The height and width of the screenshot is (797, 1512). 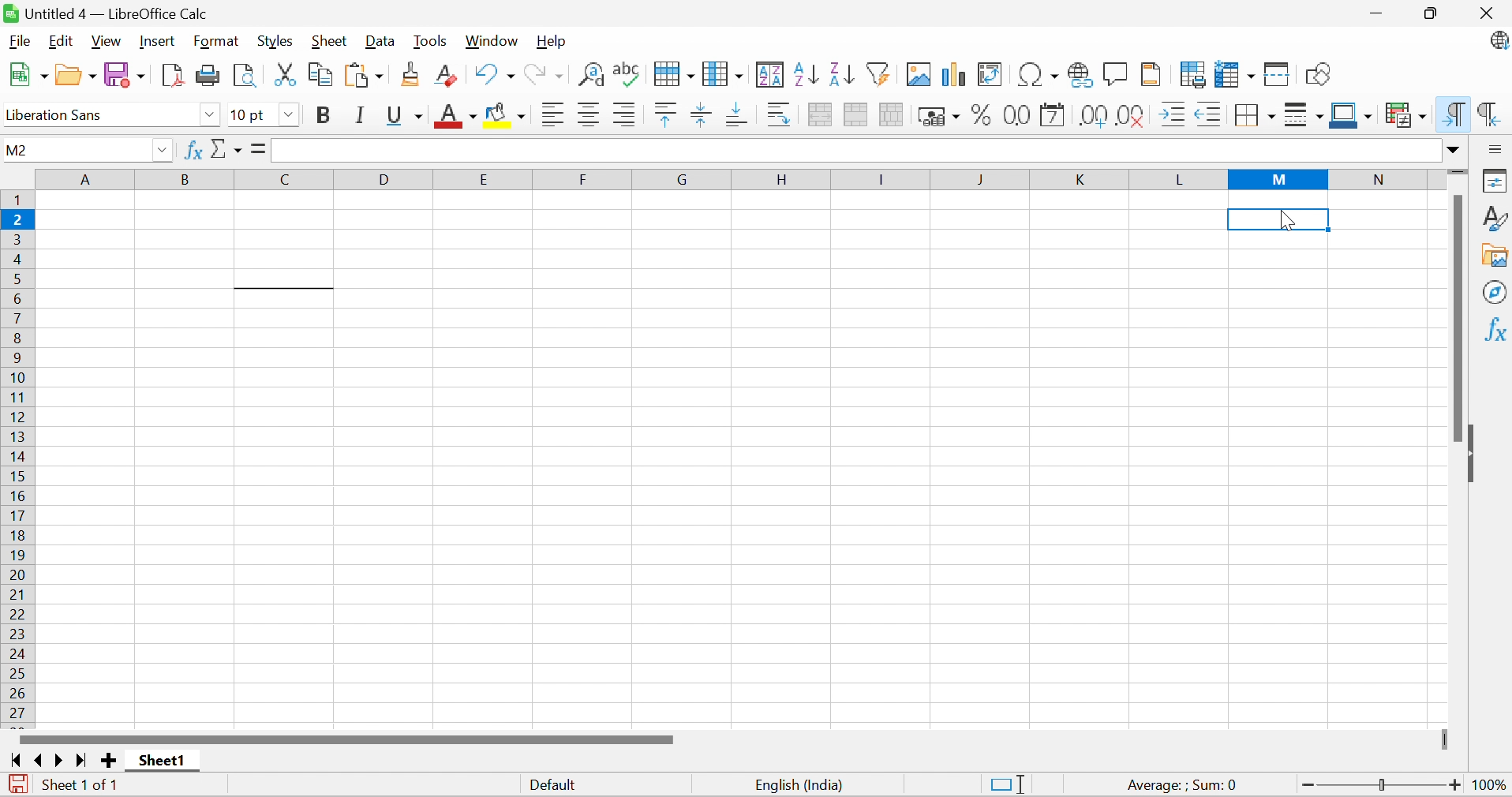 I want to click on selected cell, so click(x=1279, y=220).